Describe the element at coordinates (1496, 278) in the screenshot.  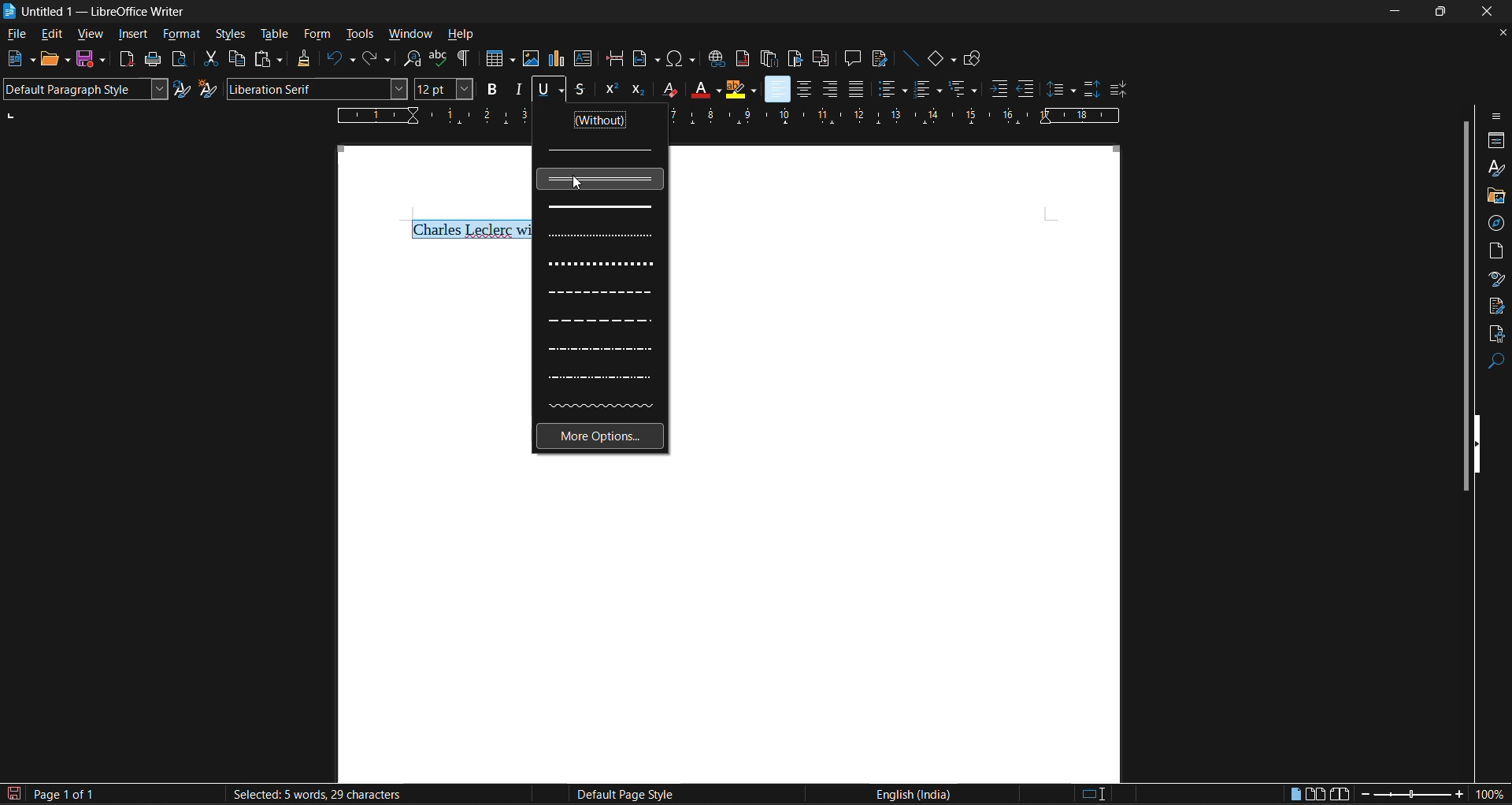
I see `style inspector` at that location.